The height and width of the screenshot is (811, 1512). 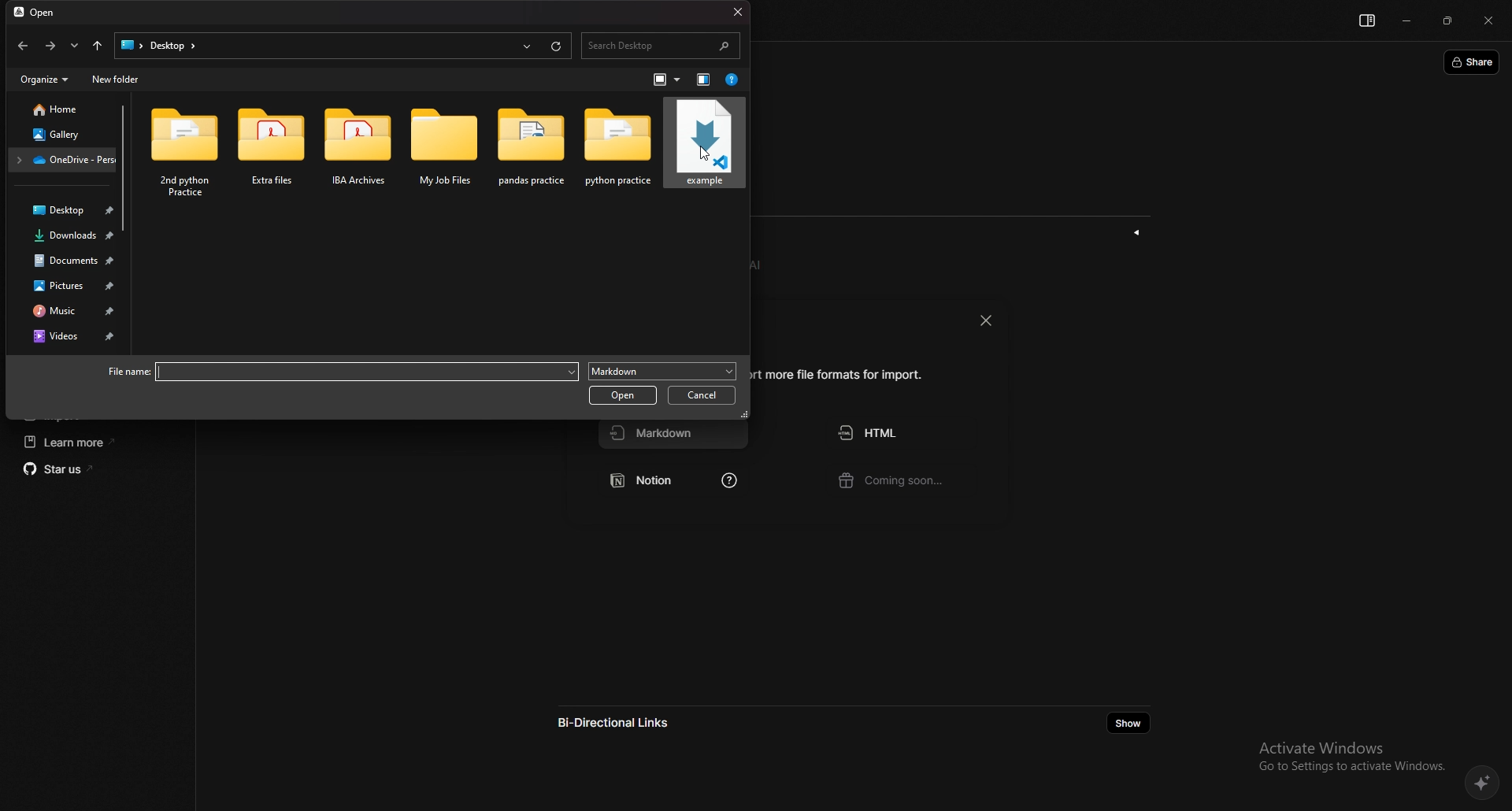 I want to click on learn how, so click(x=728, y=483).